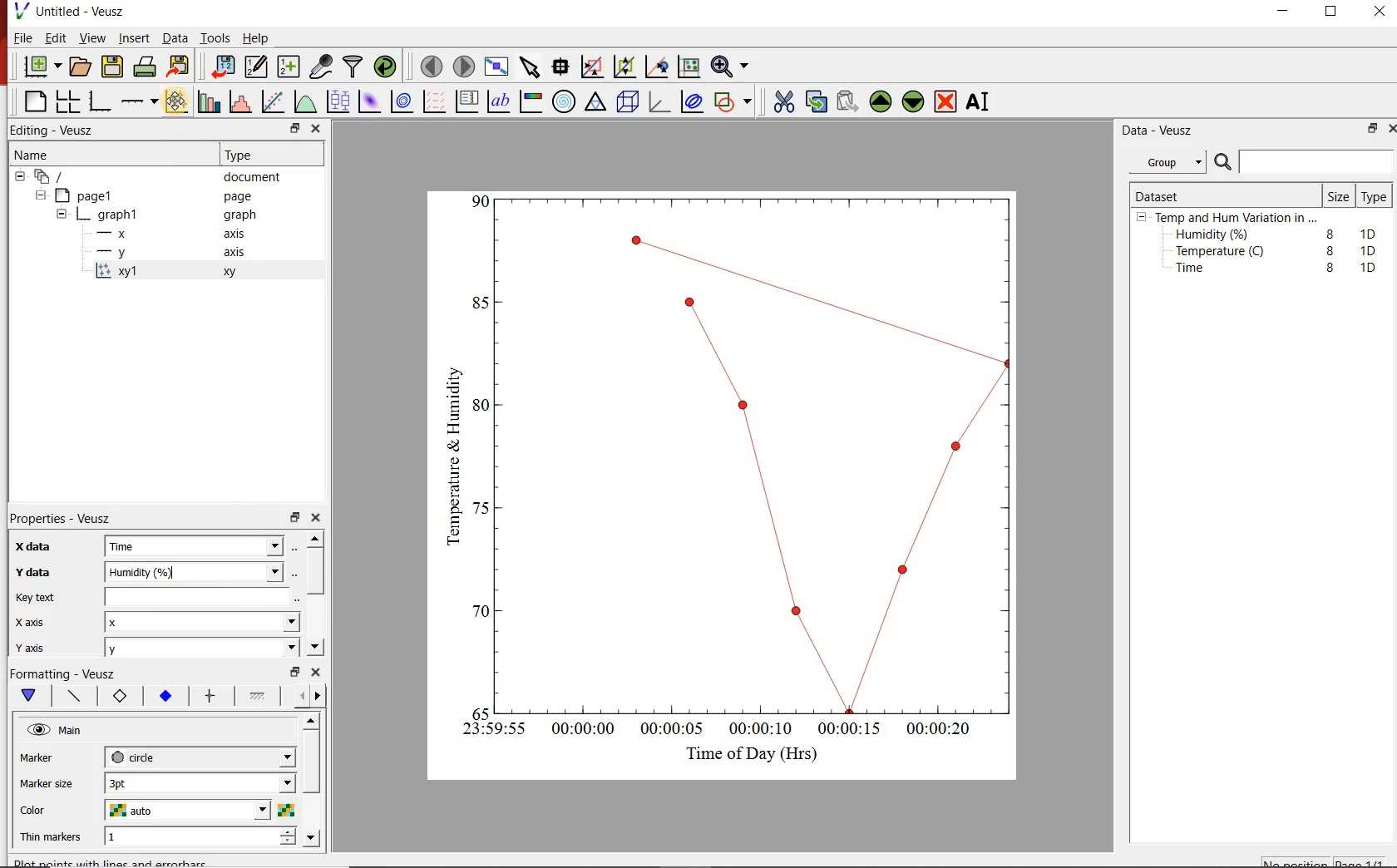 The width and height of the screenshot is (1397, 868). Describe the element at coordinates (729, 66) in the screenshot. I see `Zoom functions menu` at that location.